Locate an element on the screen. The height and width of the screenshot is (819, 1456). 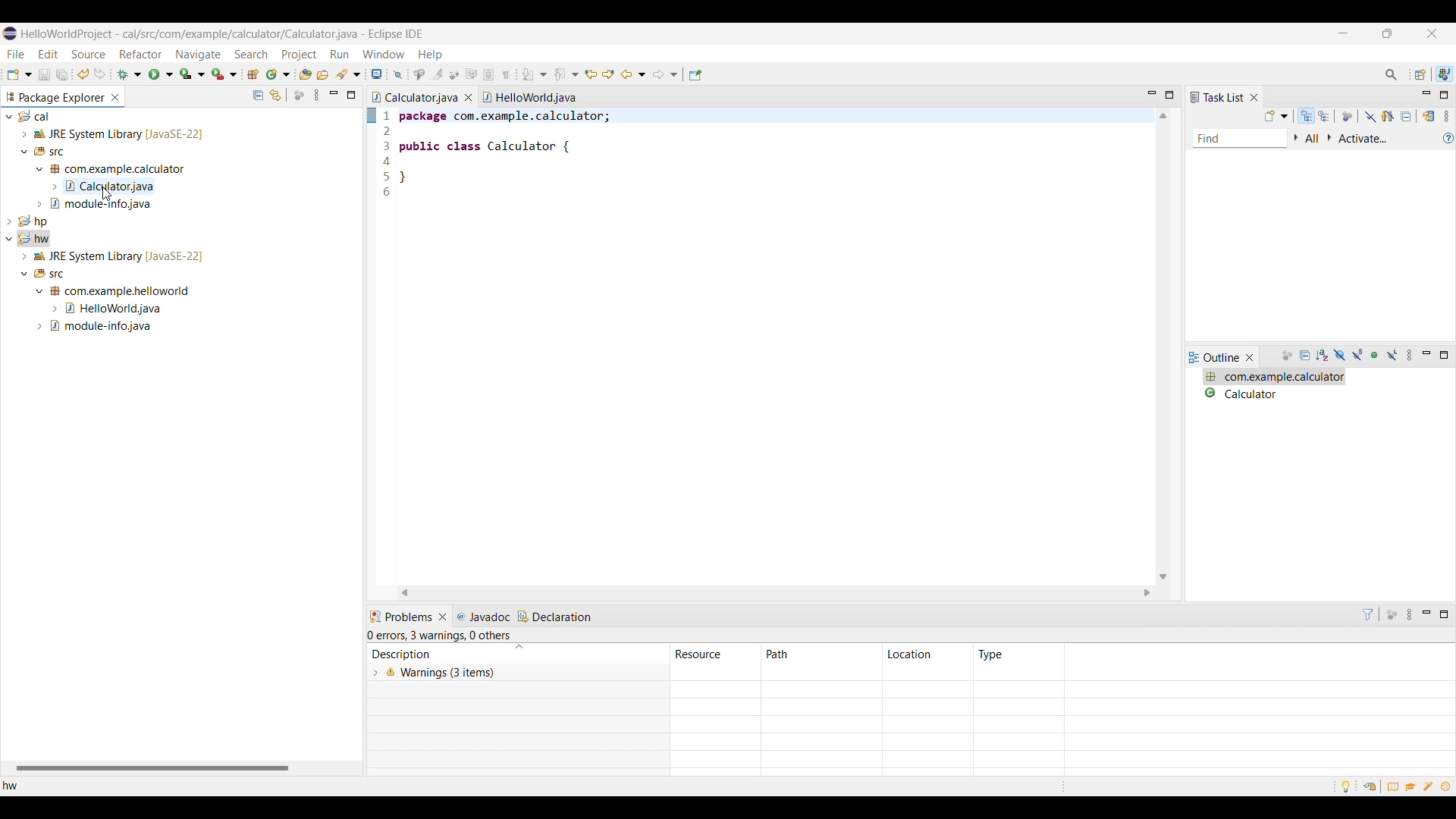
Help is located at coordinates (431, 55).